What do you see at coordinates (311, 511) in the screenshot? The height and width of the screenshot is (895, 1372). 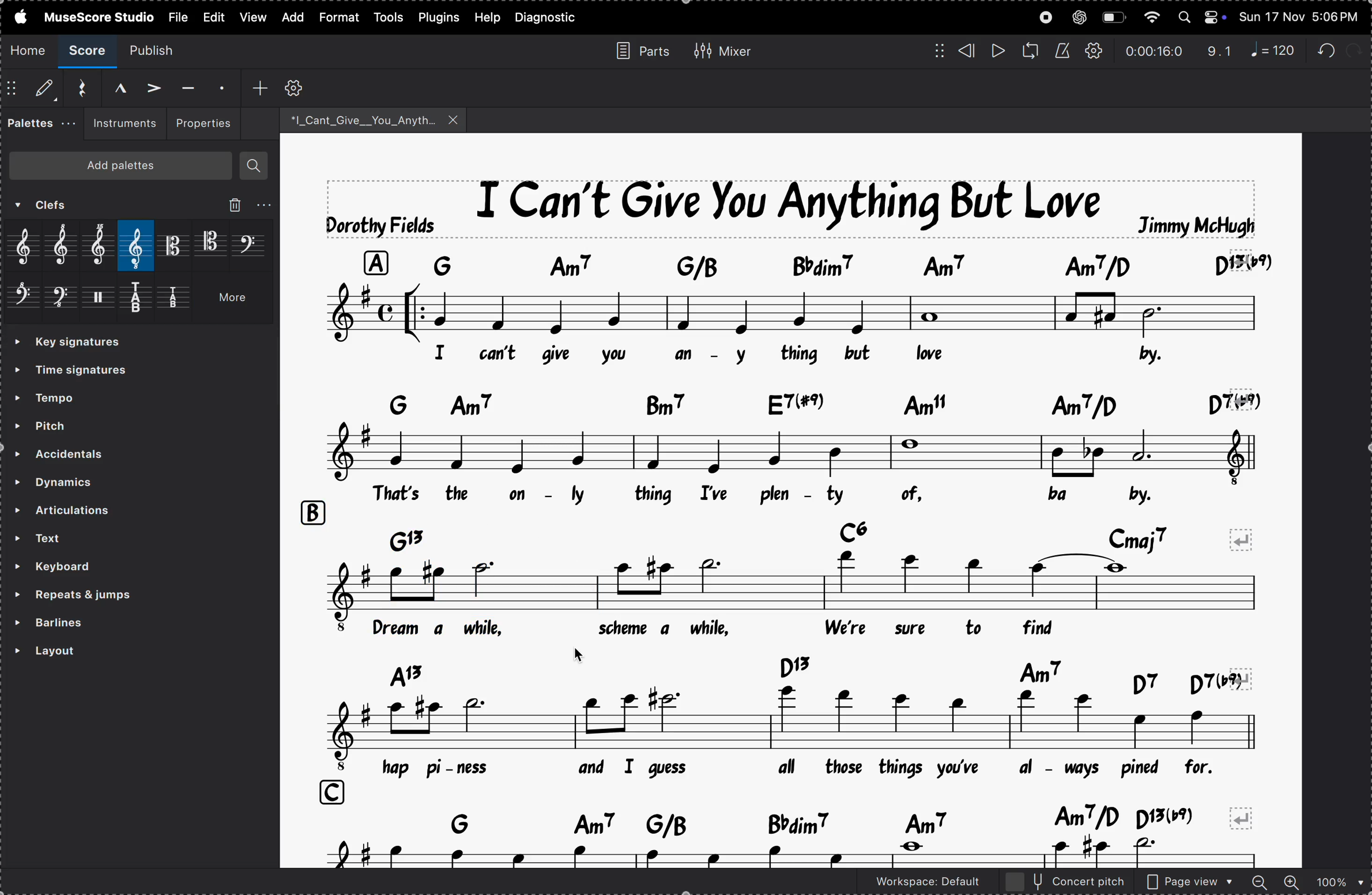 I see `row` at bounding box center [311, 511].